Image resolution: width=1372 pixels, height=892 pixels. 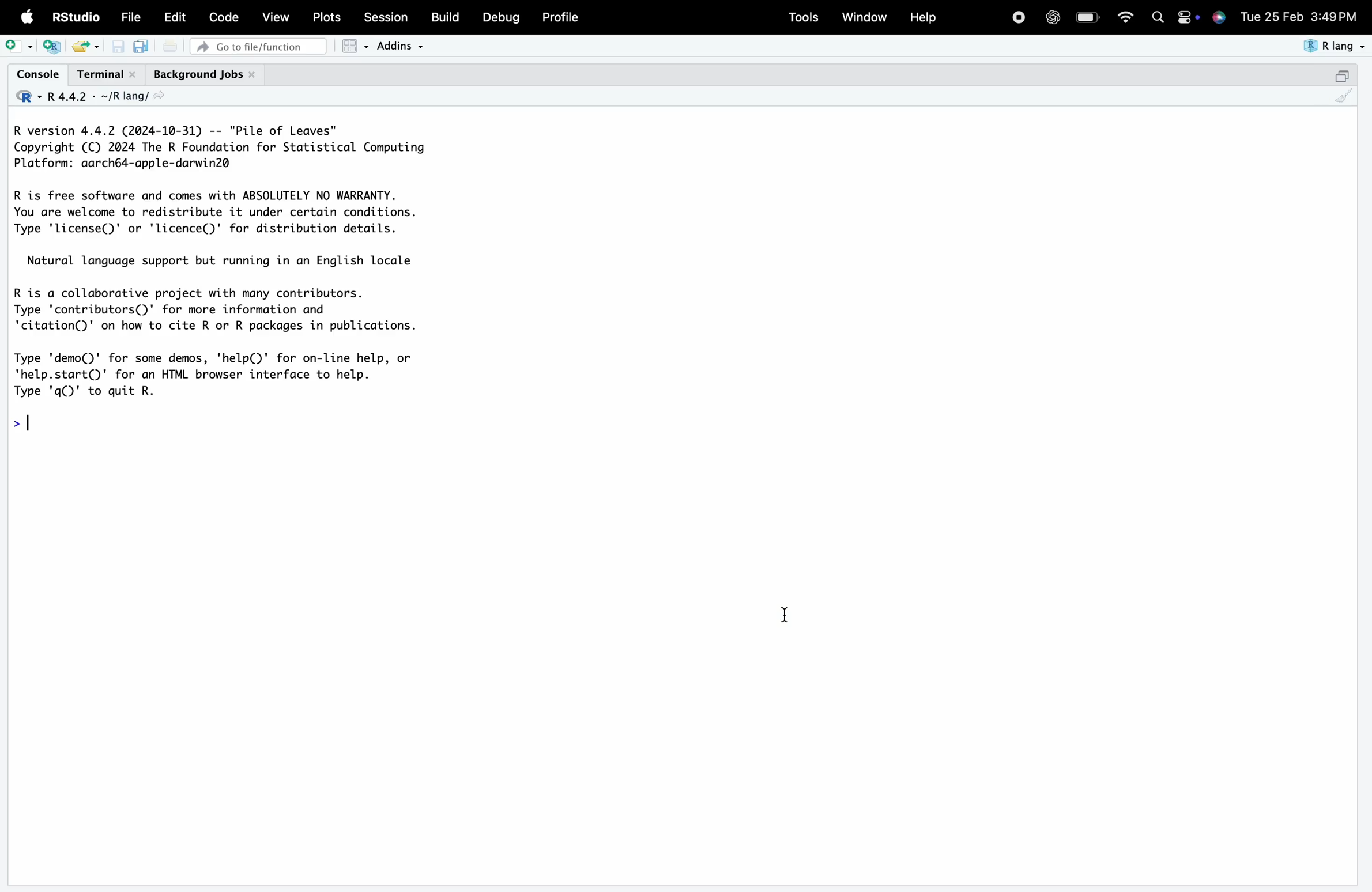 I want to click on maximize, so click(x=1341, y=75).